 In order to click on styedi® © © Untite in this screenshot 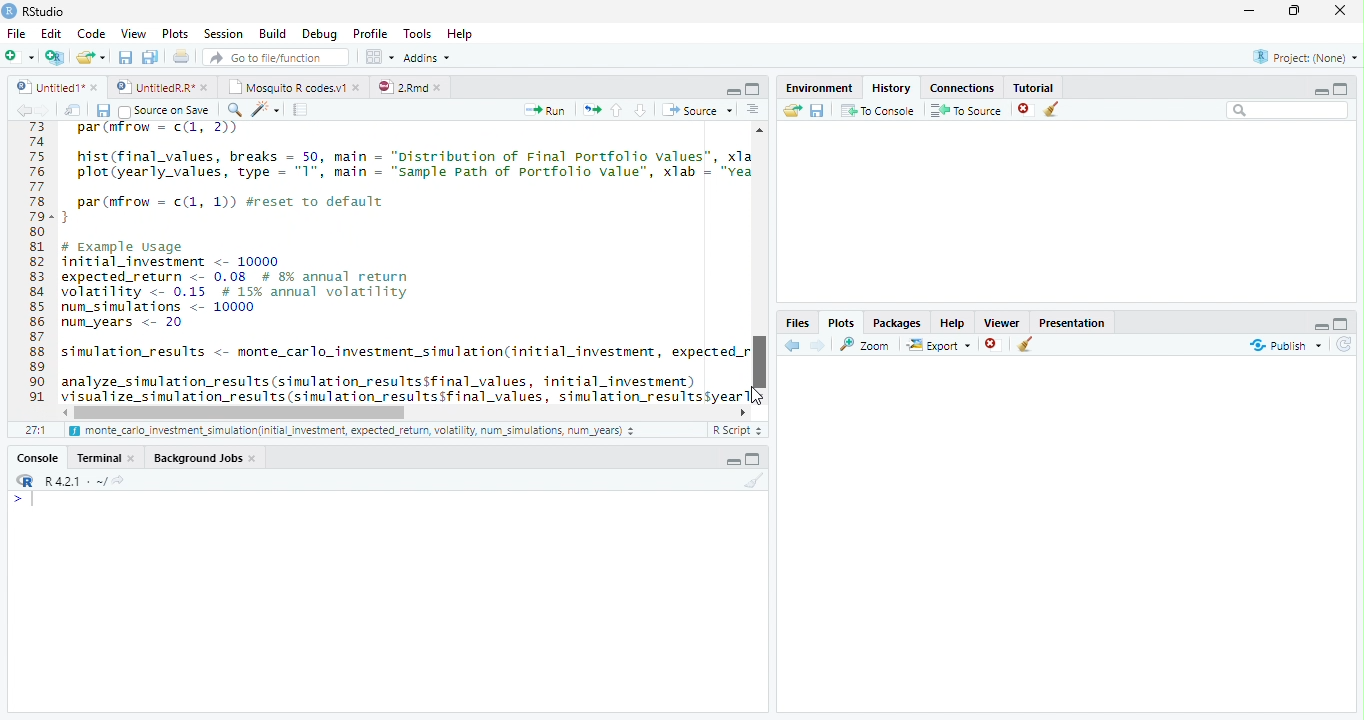, I will do `click(162, 87)`.